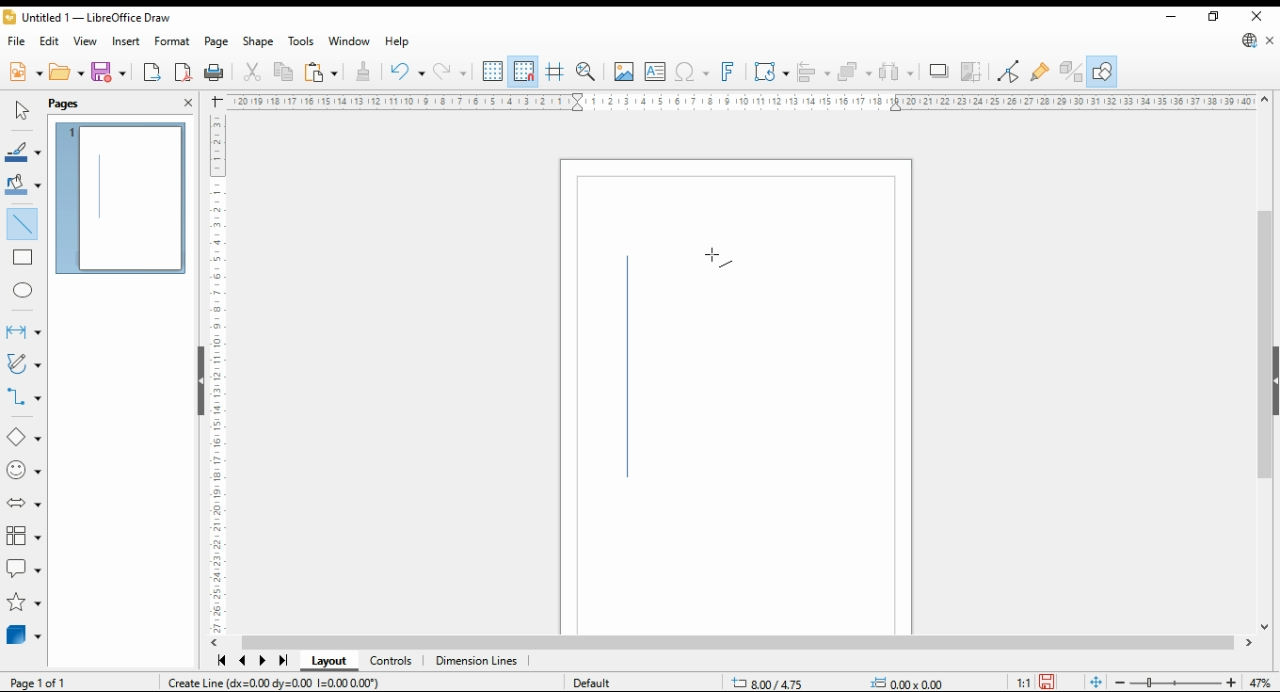 This screenshot has width=1280, height=692. What do you see at coordinates (282, 661) in the screenshot?
I see `last page` at bounding box center [282, 661].